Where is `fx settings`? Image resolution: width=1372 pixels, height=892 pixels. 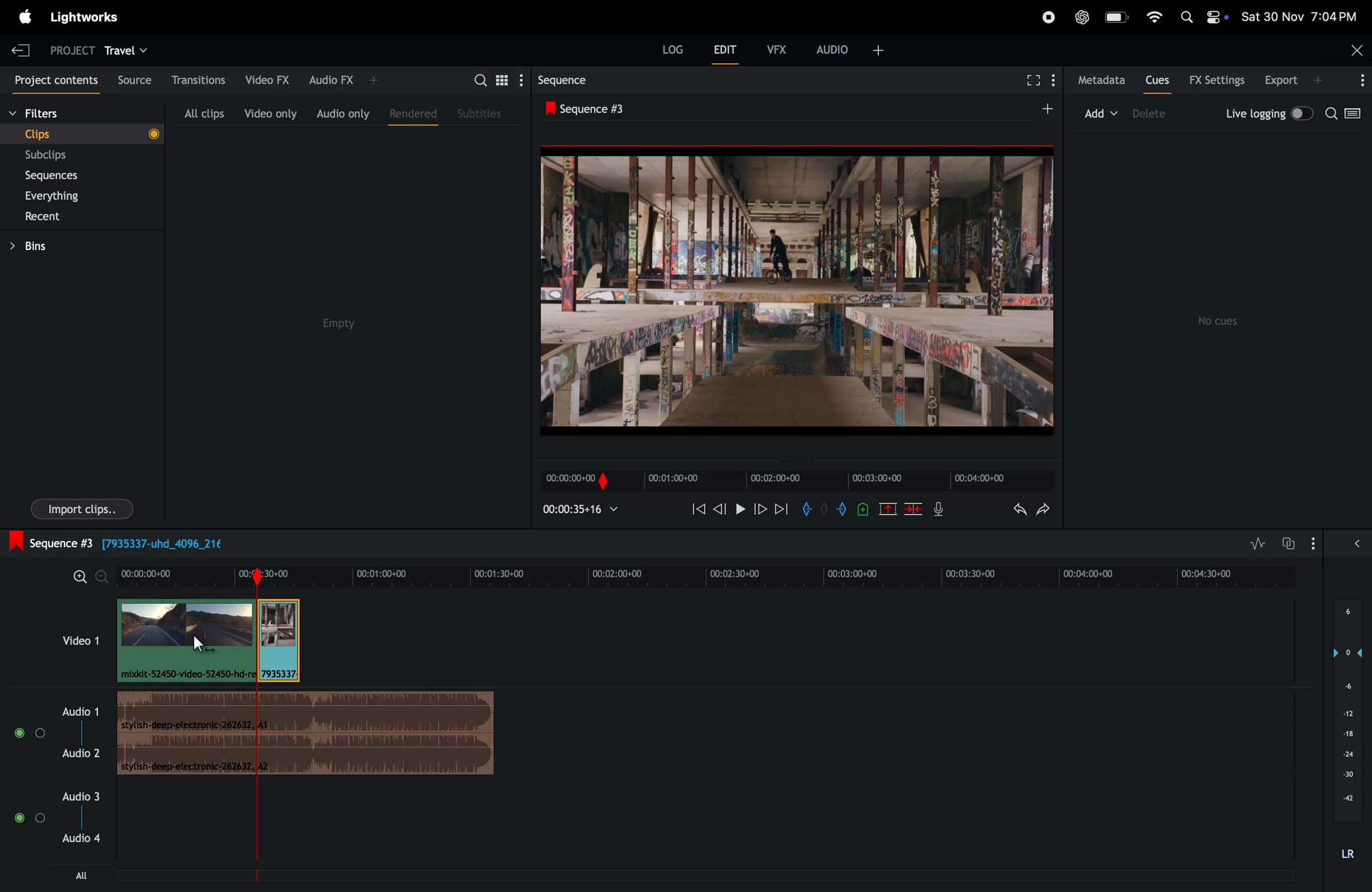 fx settings is located at coordinates (1217, 80).